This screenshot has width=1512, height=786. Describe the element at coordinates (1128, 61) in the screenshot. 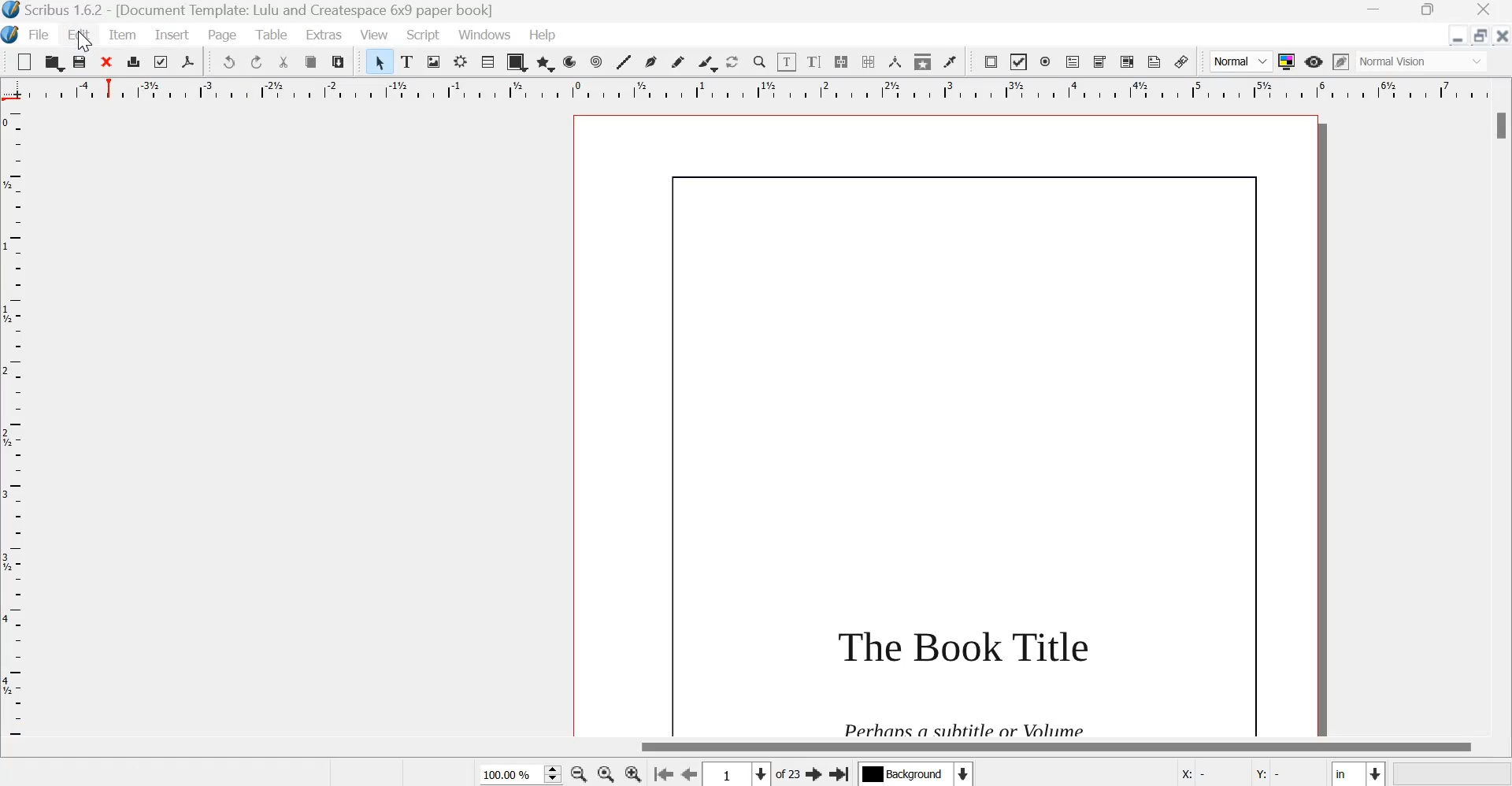

I see `PDF list box` at that location.